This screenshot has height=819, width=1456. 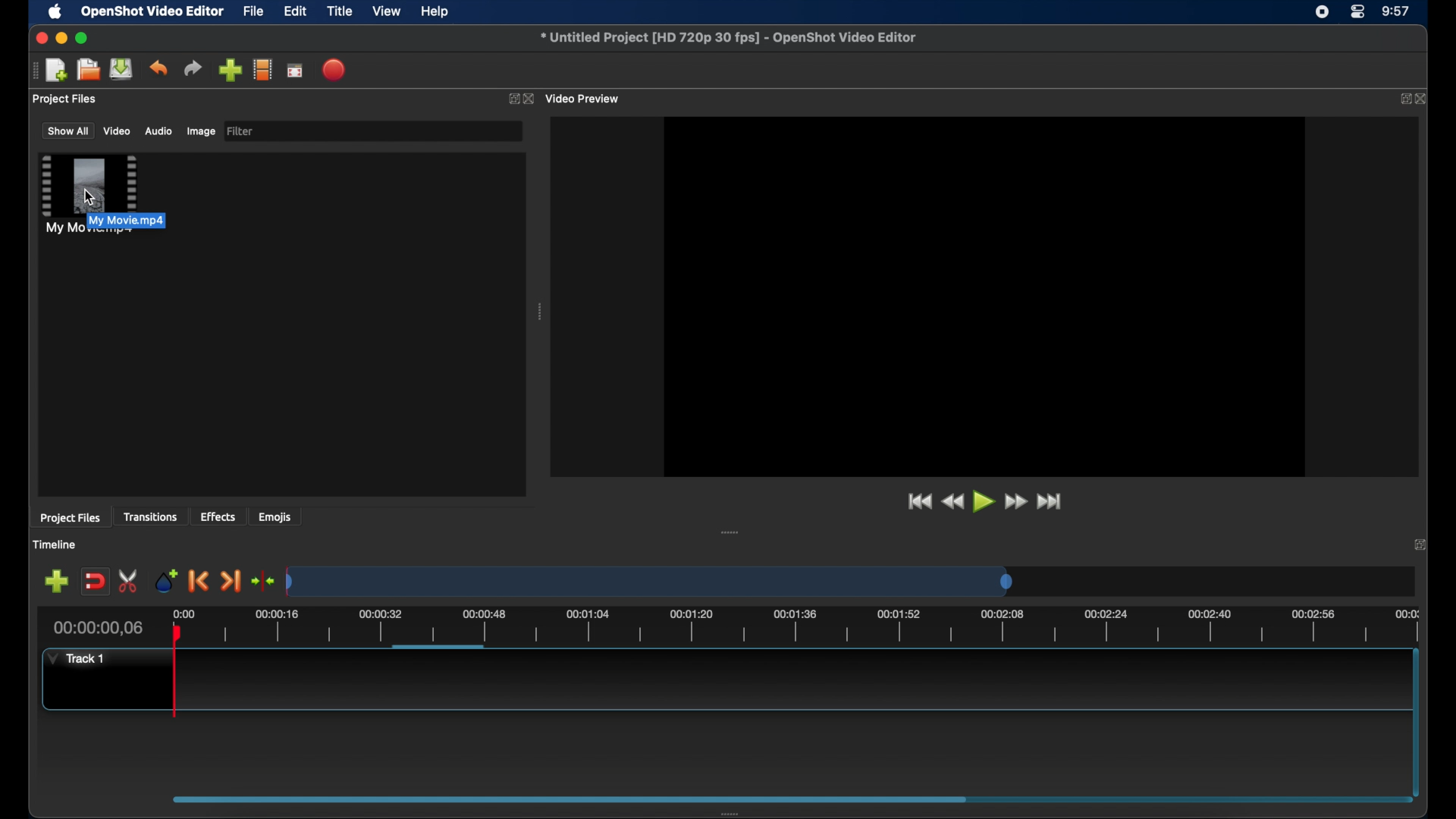 I want to click on close, so click(x=531, y=99).